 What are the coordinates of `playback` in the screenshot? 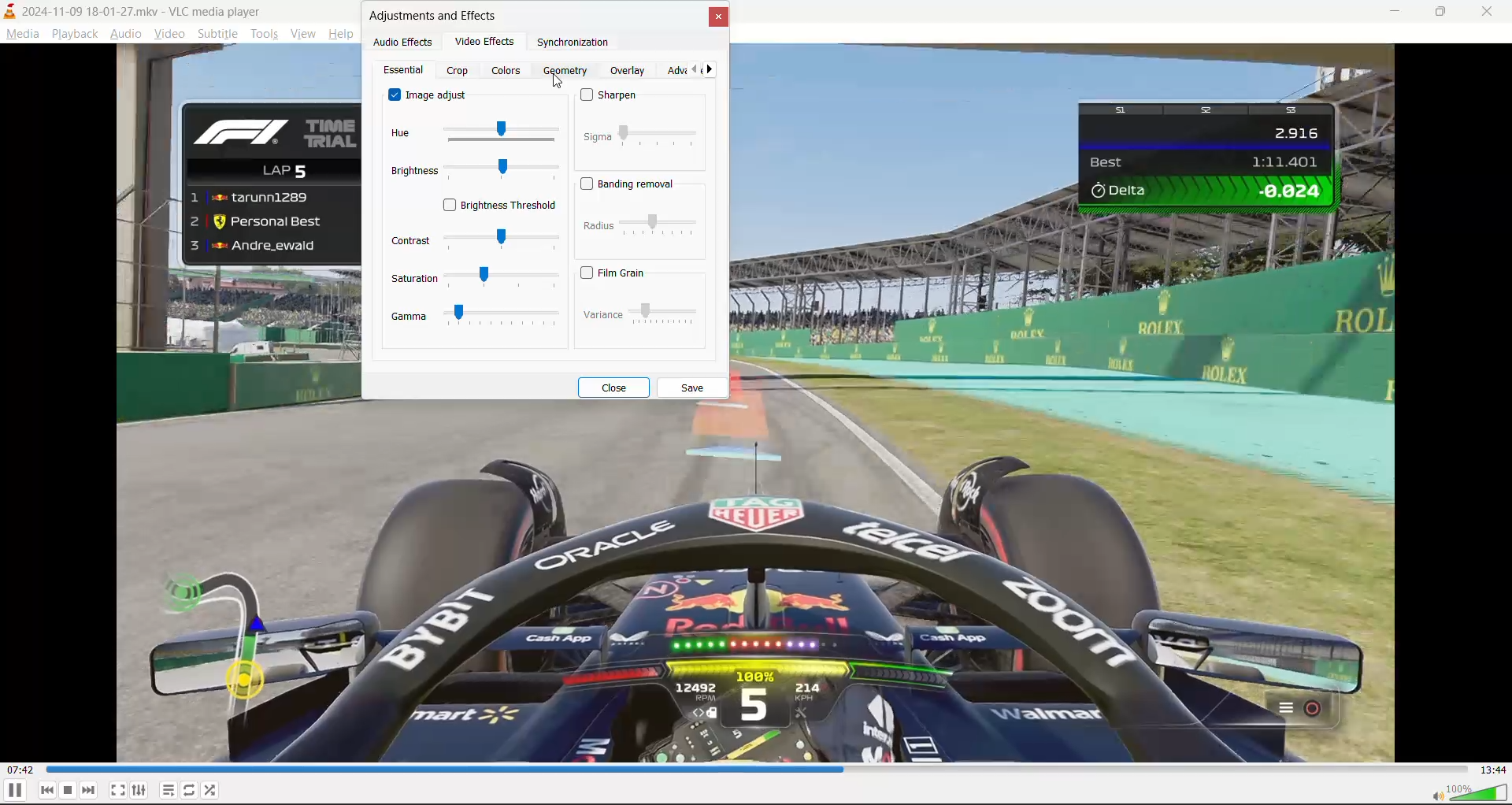 It's located at (74, 32).